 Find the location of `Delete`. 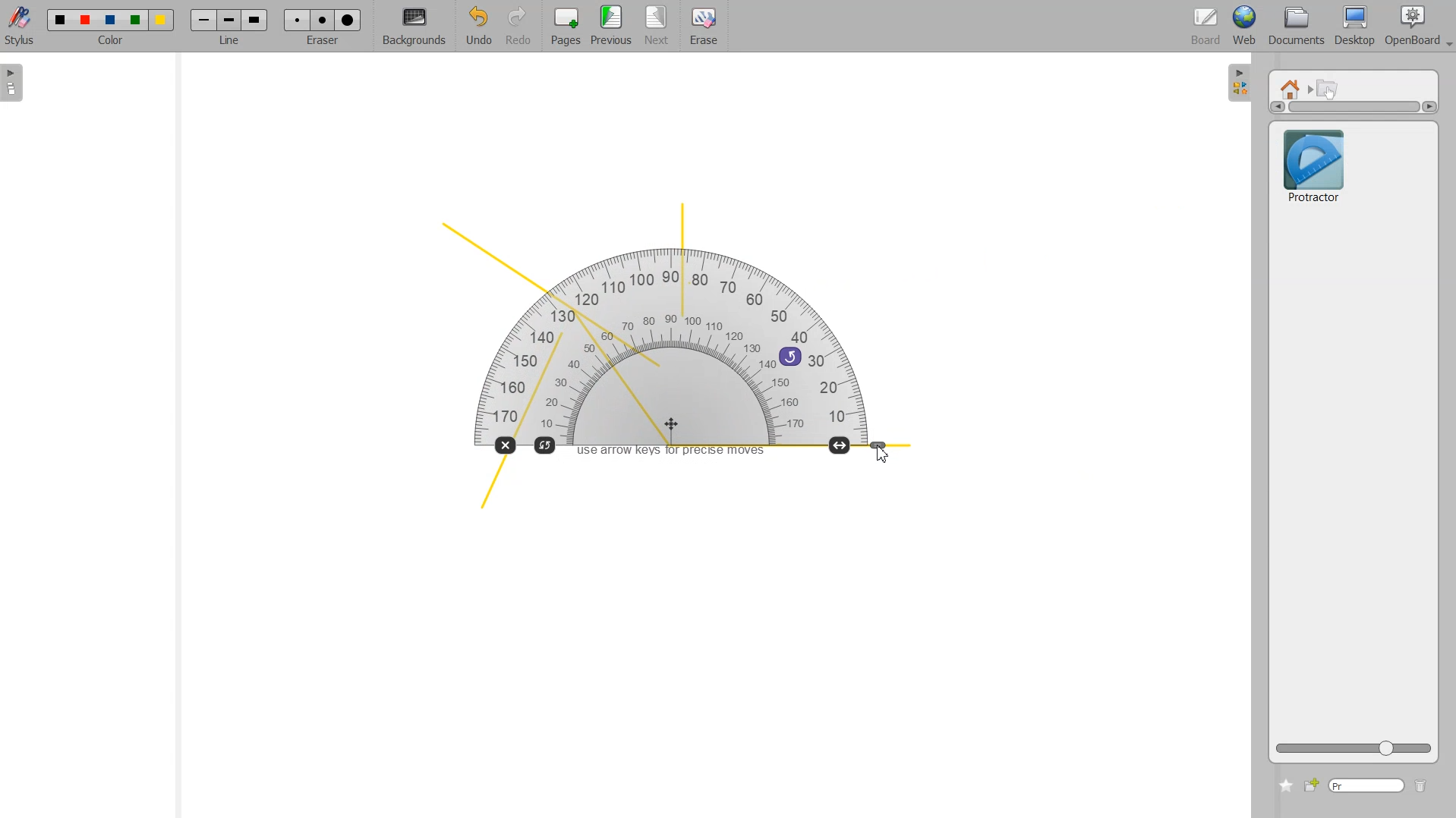

Delete is located at coordinates (1421, 787).